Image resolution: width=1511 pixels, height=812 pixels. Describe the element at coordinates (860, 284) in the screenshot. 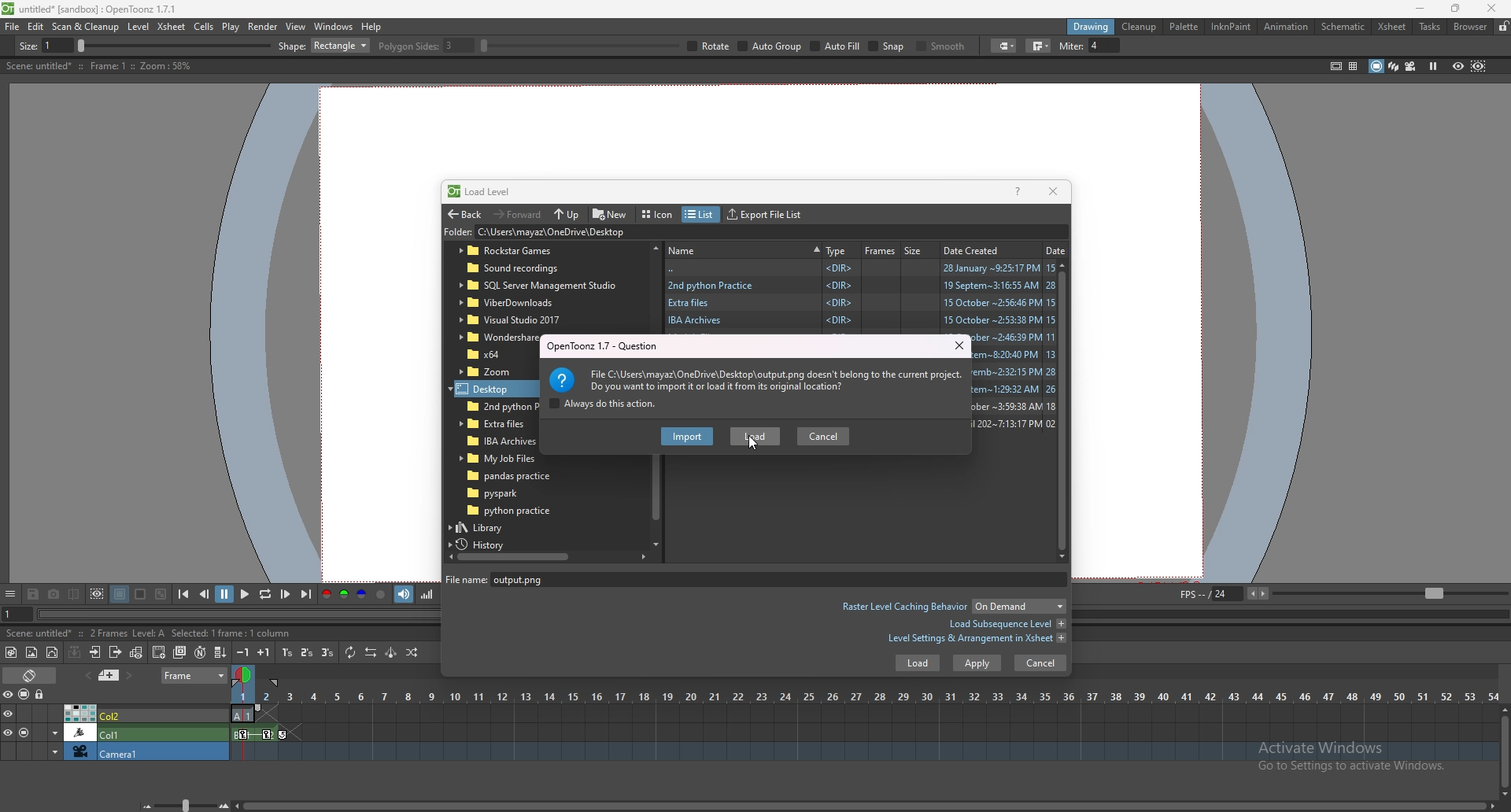

I see `folder` at that location.